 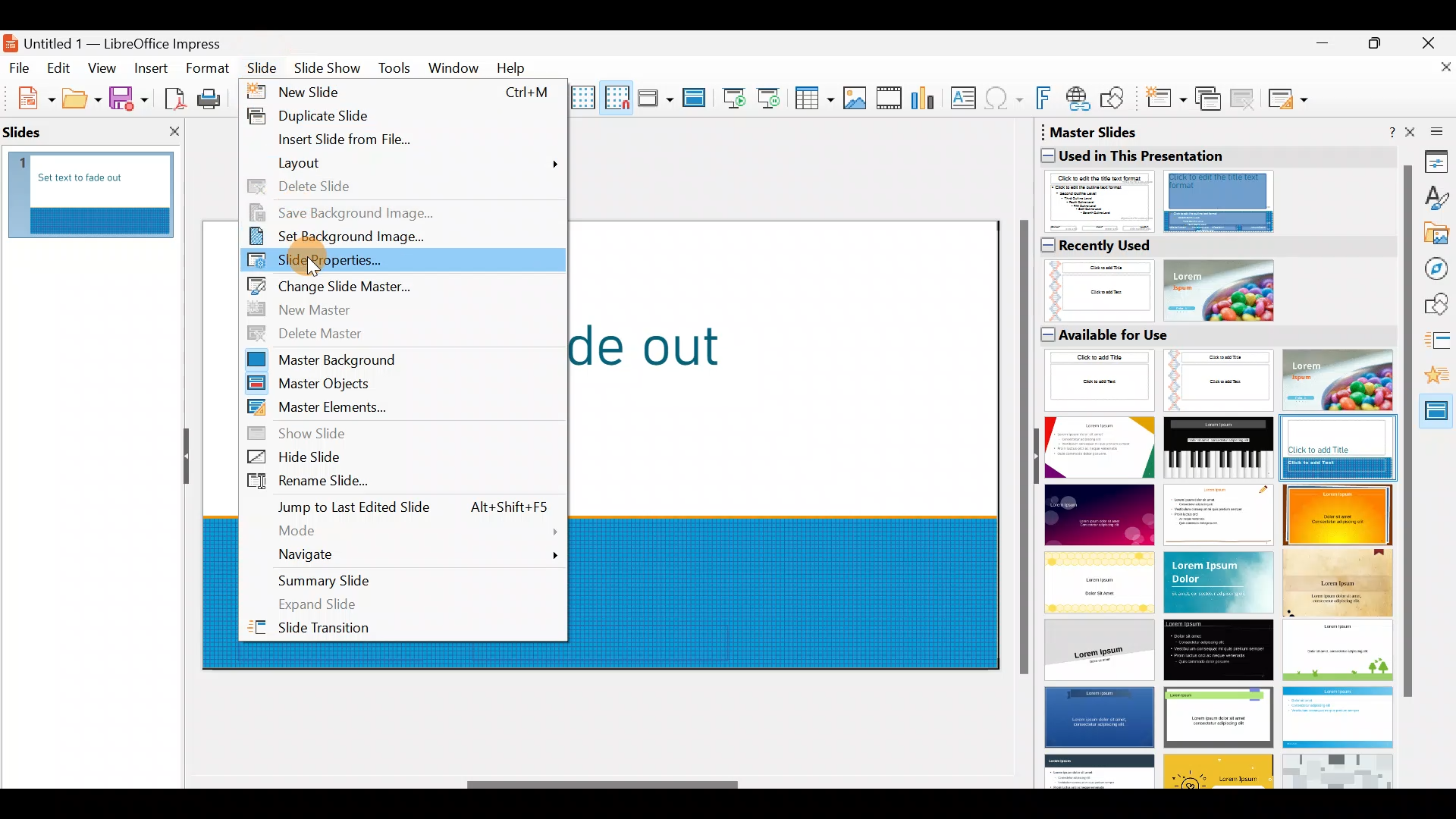 What do you see at coordinates (1434, 130) in the screenshot?
I see `Sidebar settings` at bounding box center [1434, 130].